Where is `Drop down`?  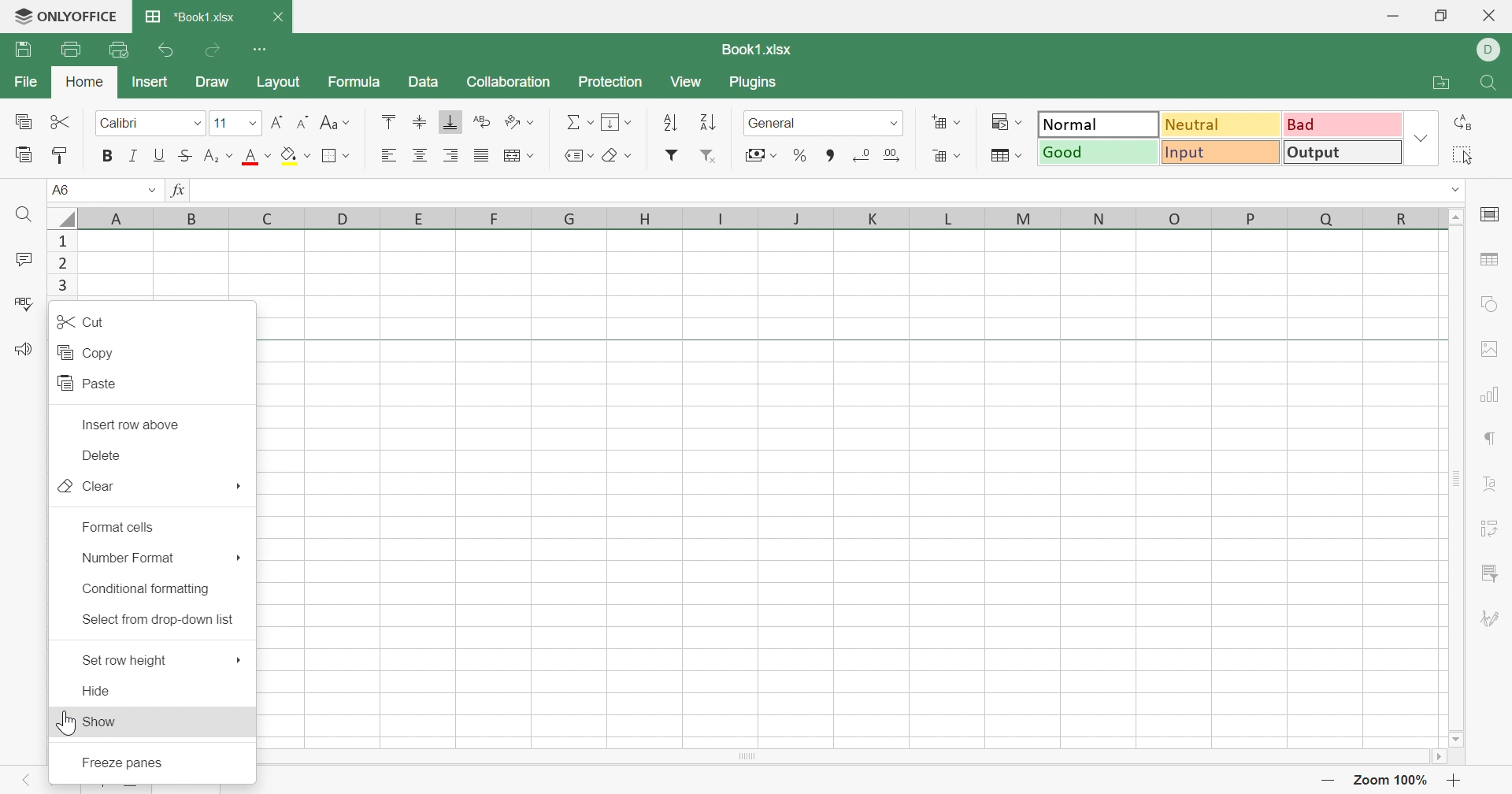 Drop down is located at coordinates (151, 189).